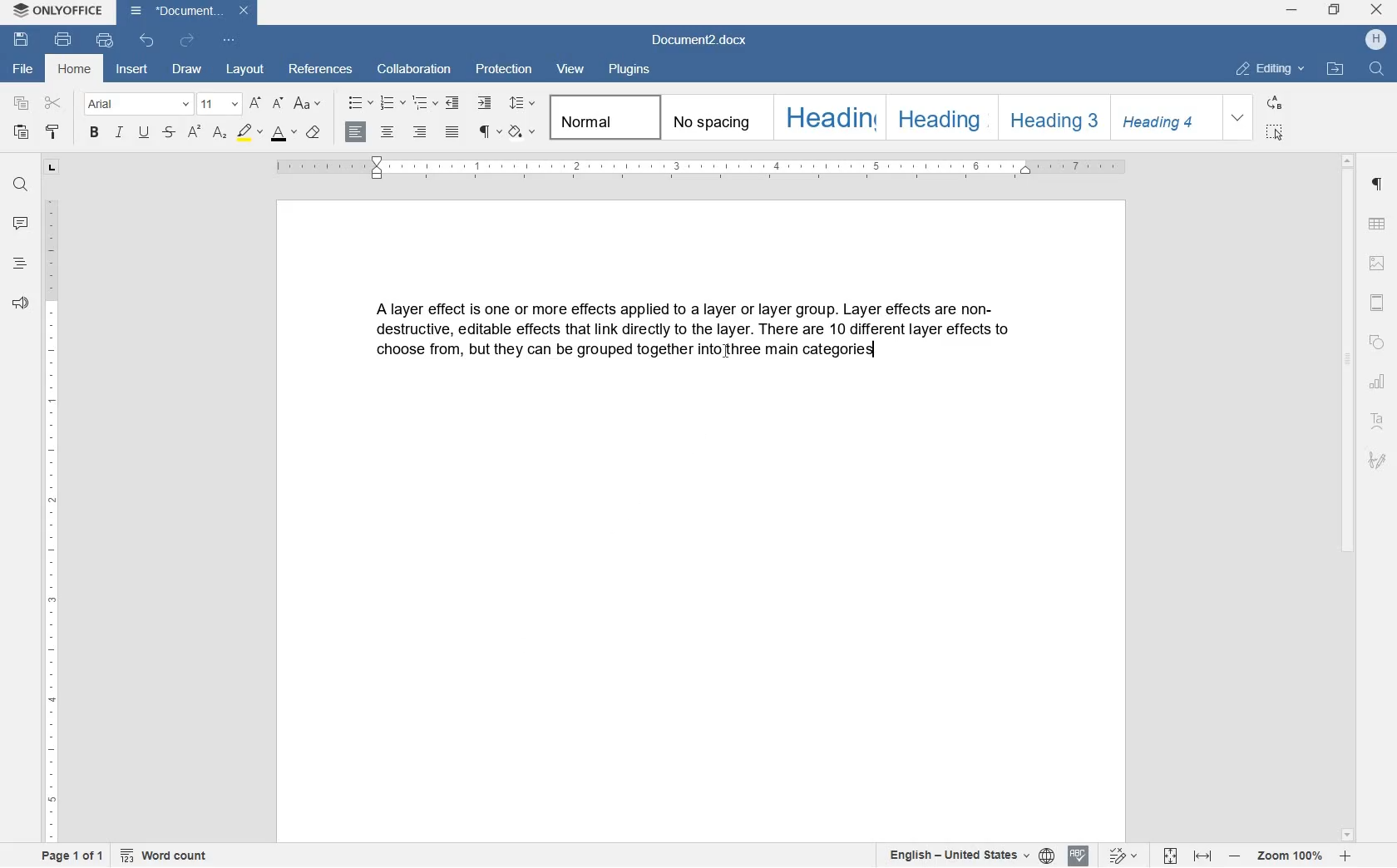 This screenshot has height=868, width=1397. What do you see at coordinates (522, 131) in the screenshot?
I see `shading` at bounding box center [522, 131].